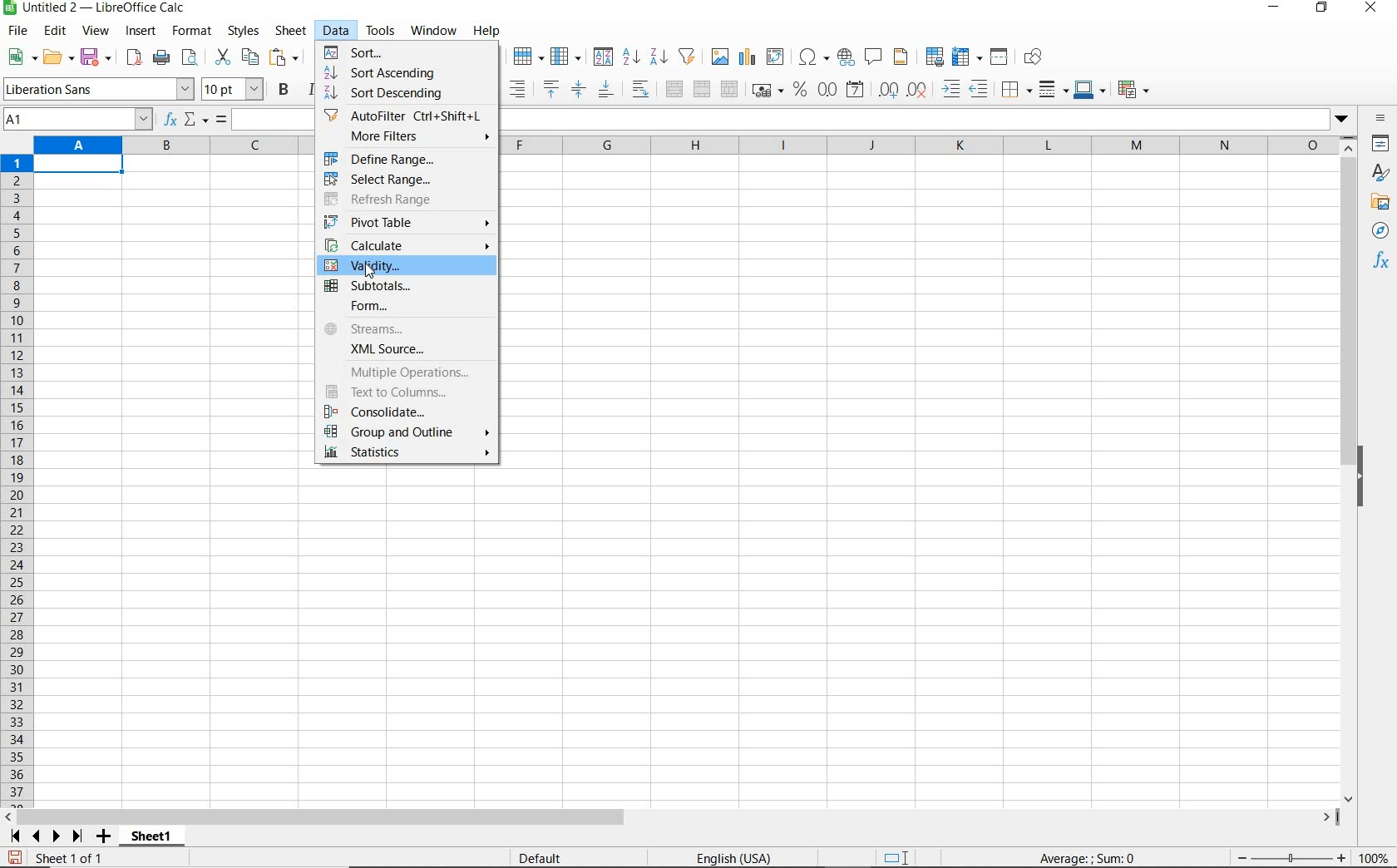 The image size is (1397, 868). I want to click on sort, so click(403, 52).